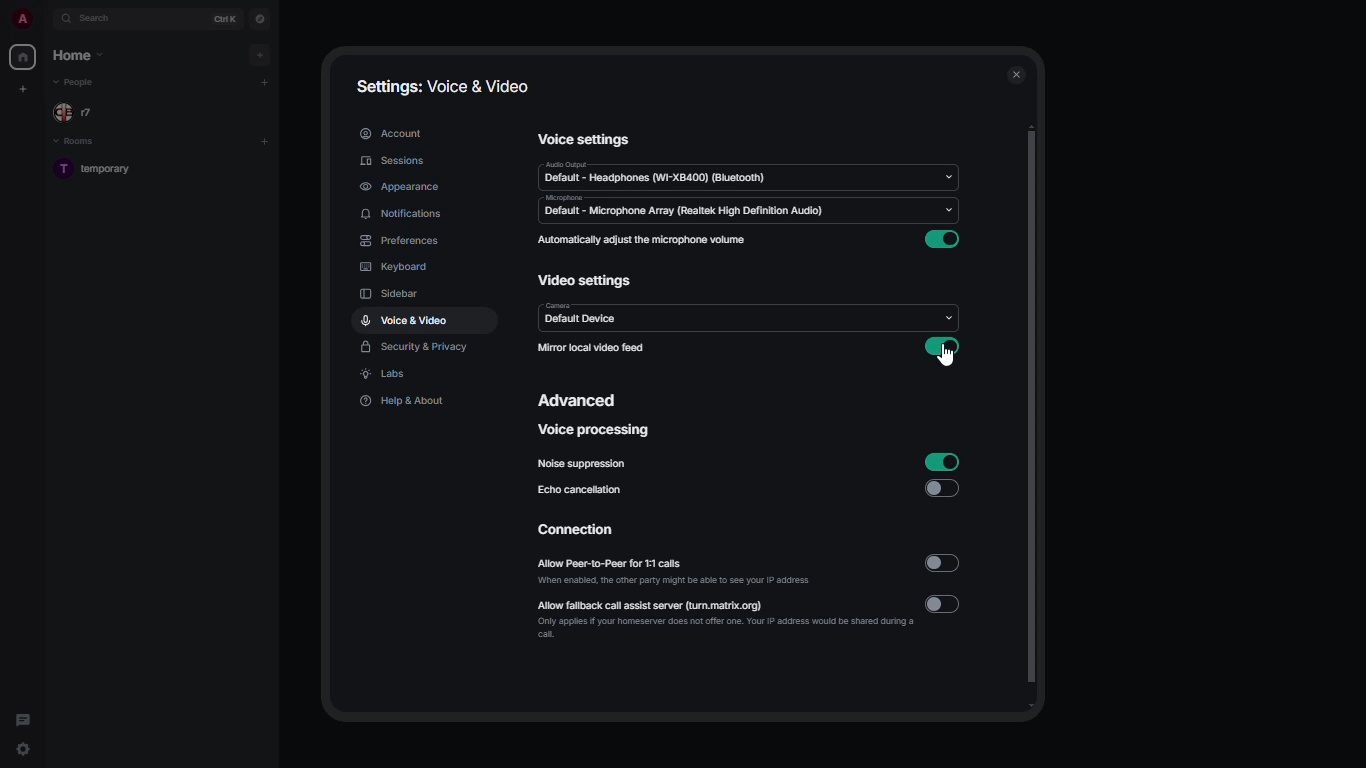  I want to click on people, so click(78, 114).